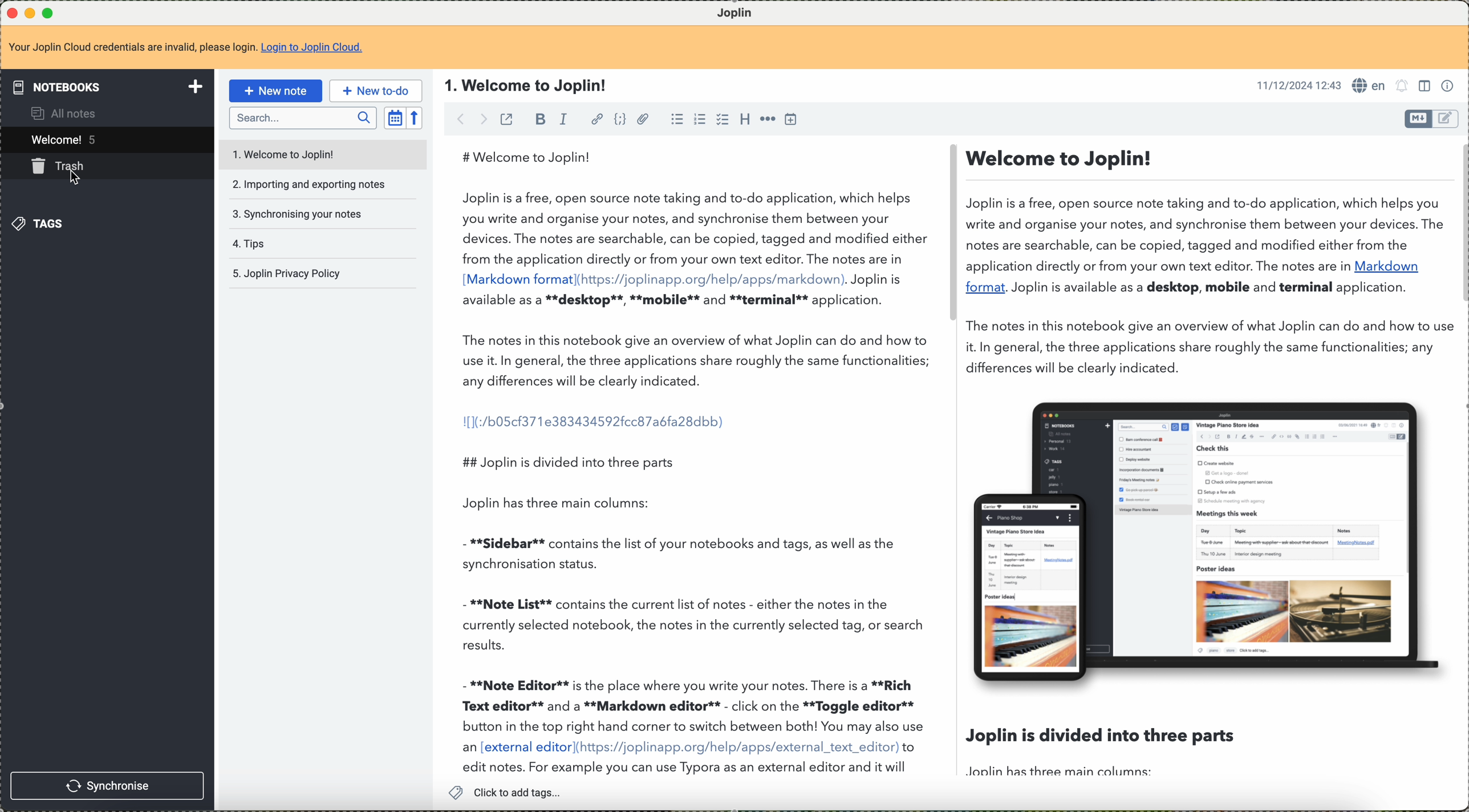 This screenshot has height=812, width=1469. What do you see at coordinates (288, 152) in the screenshot?
I see `welcome to joplin` at bounding box center [288, 152].